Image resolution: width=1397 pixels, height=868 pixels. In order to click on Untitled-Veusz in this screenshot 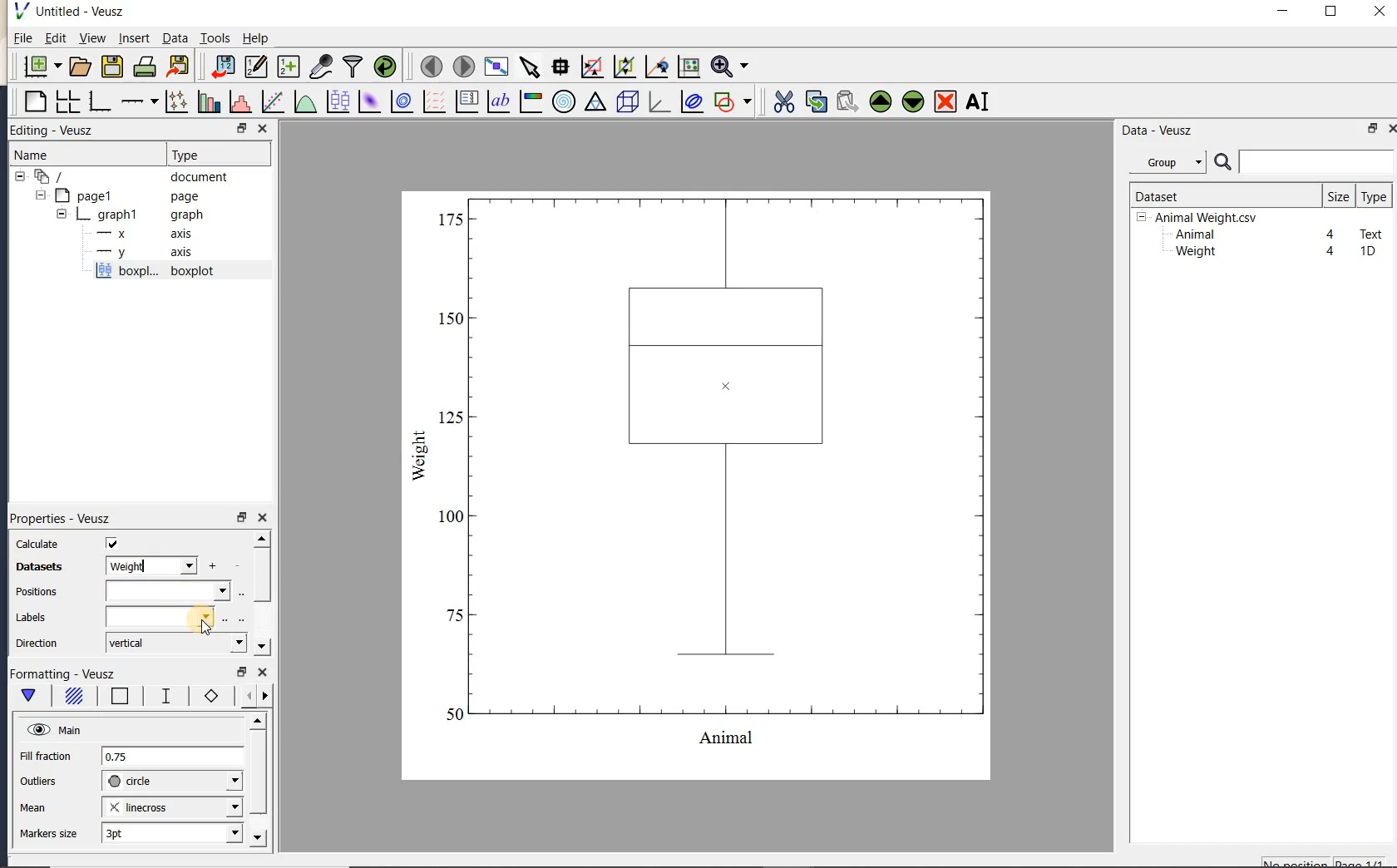, I will do `click(74, 12)`.